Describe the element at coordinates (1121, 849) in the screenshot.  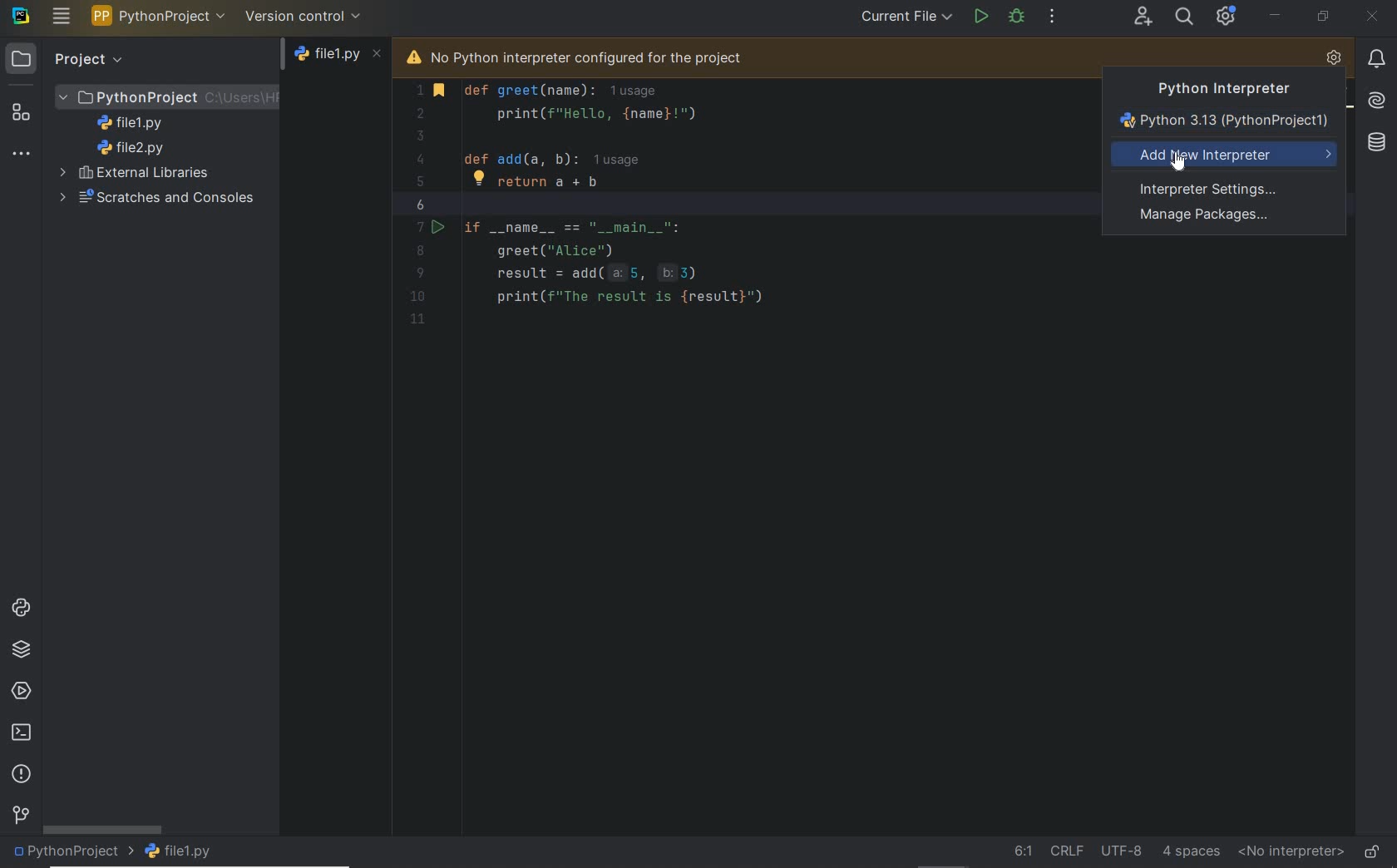
I see `file encoding` at that location.